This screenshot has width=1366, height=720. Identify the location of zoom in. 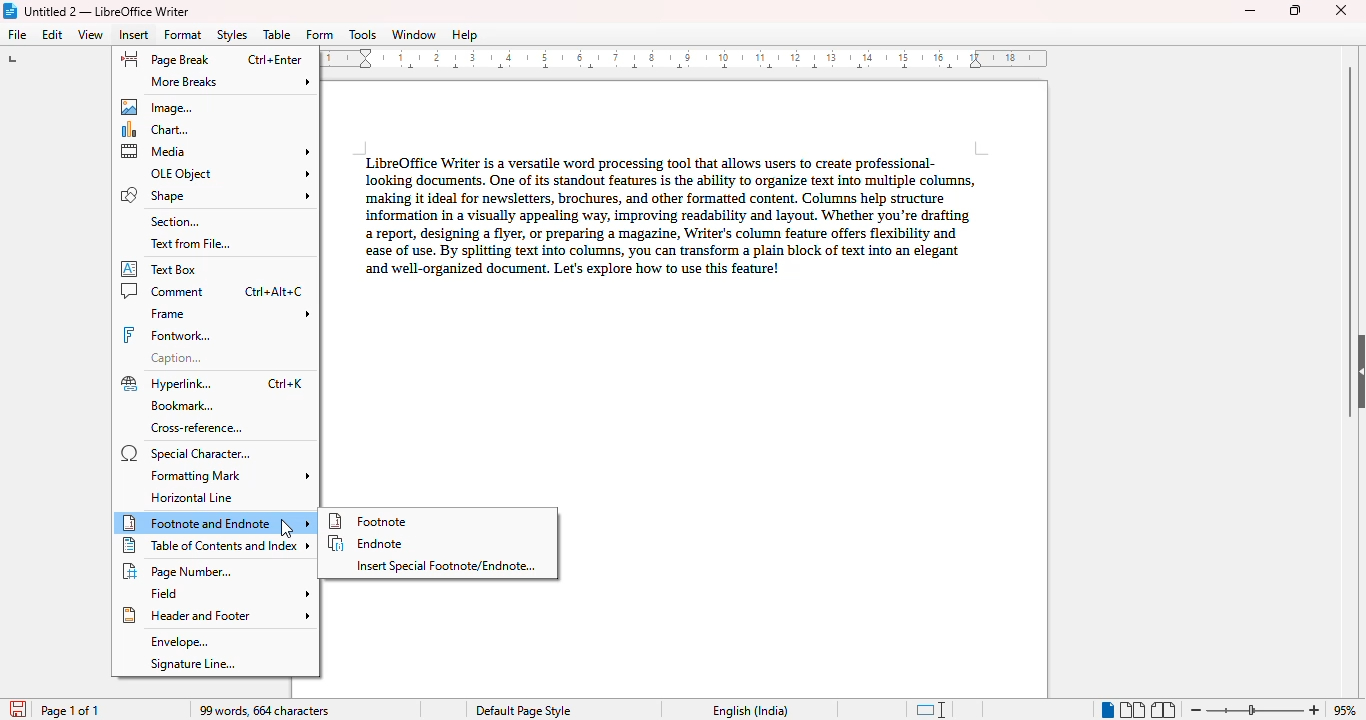
(1315, 709).